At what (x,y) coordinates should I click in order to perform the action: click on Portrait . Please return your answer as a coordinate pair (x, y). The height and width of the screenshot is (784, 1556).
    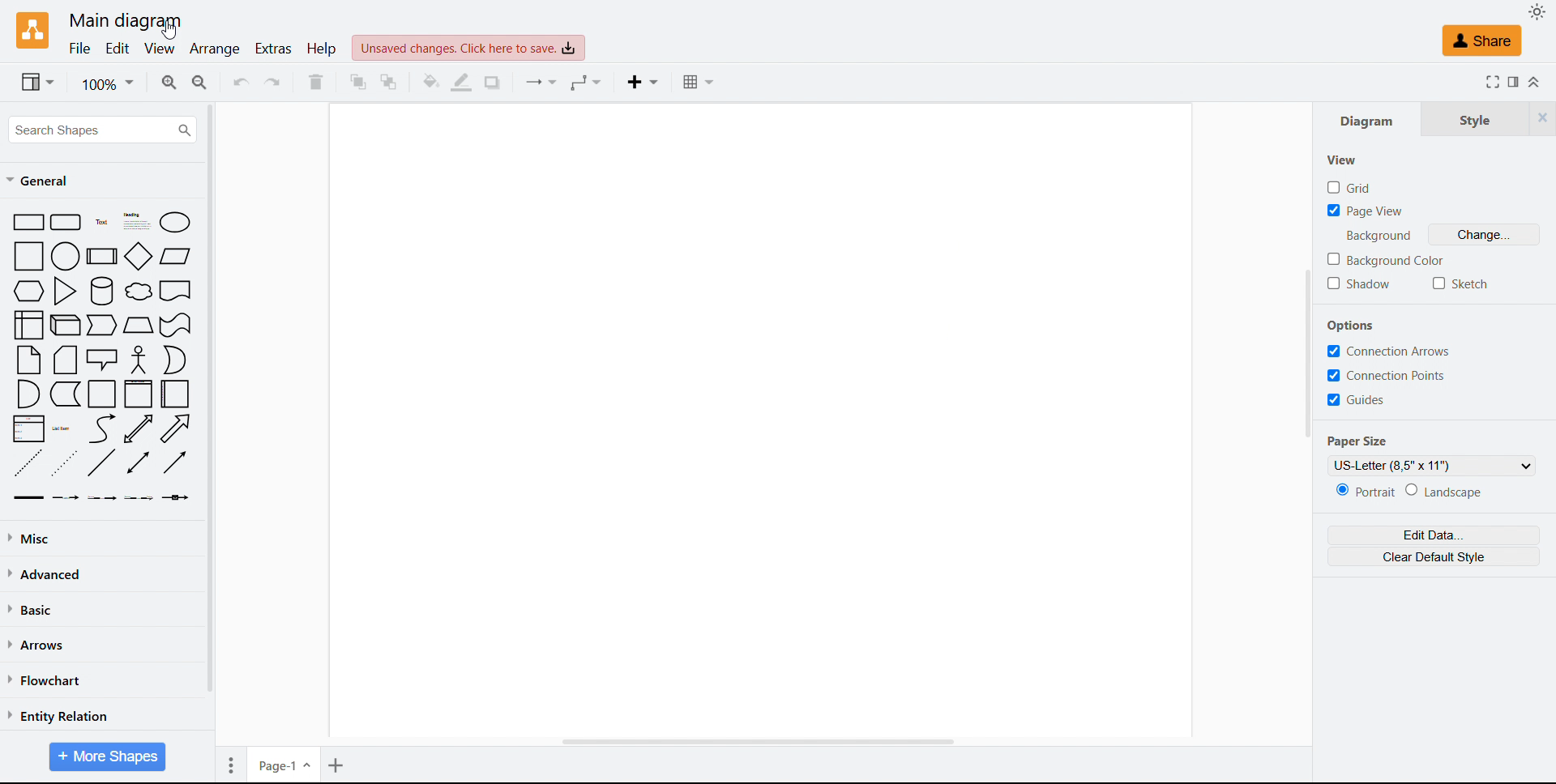
    Looking at the image, I should click on (1368, 491).